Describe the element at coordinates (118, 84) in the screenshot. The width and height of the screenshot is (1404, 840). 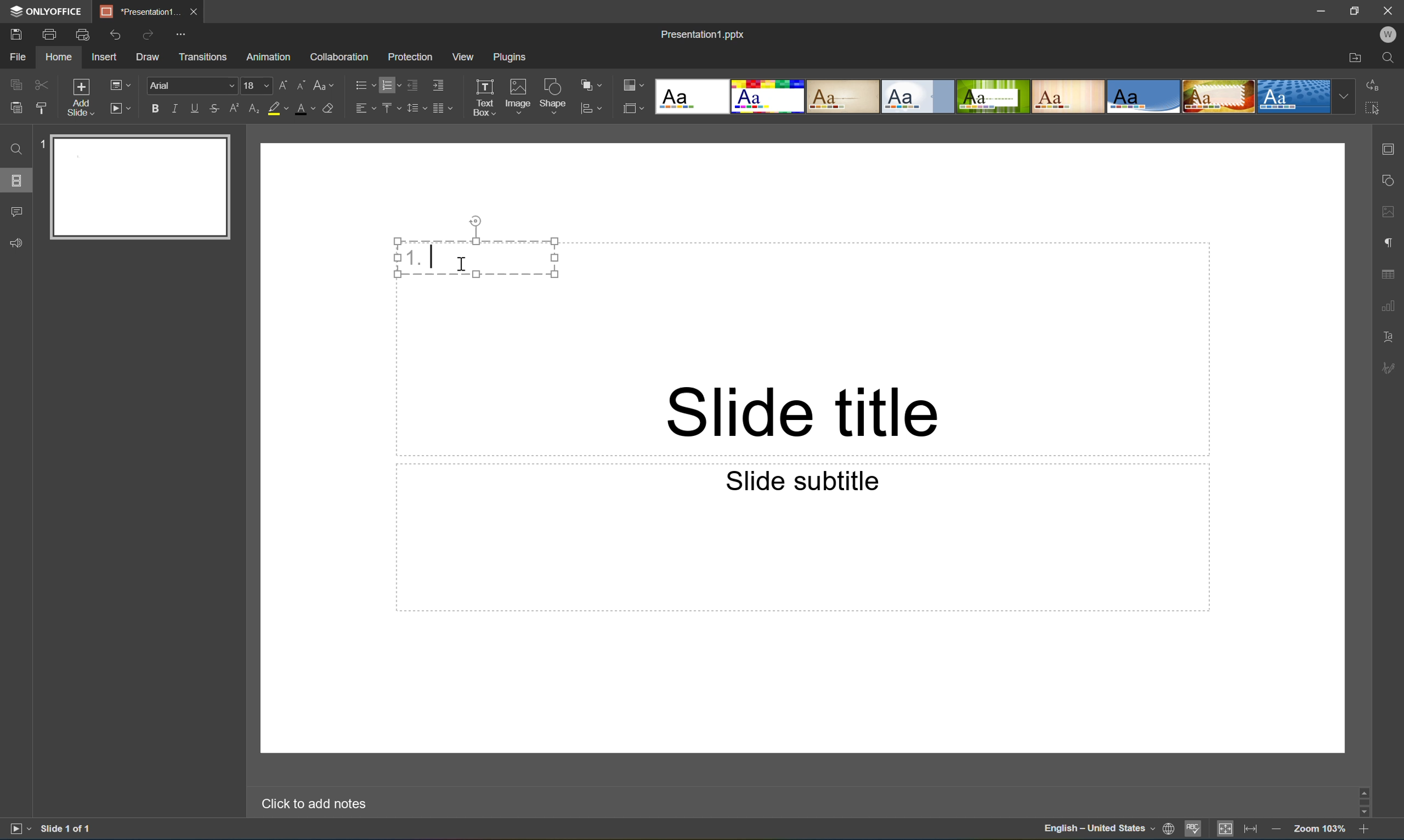
I see `Change slide layout` at that location.